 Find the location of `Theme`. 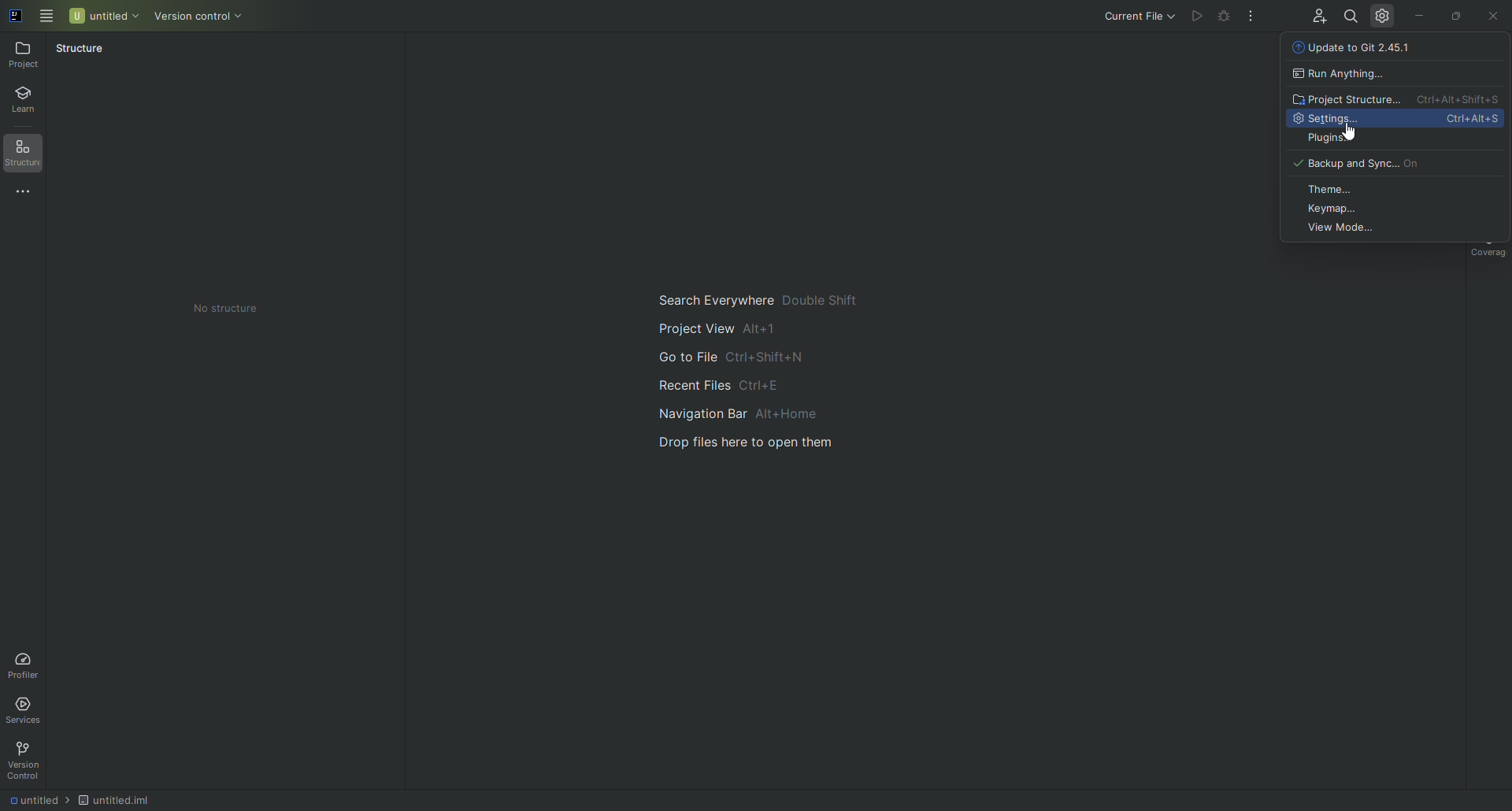

Theme is located at coordinates (1384, 187).